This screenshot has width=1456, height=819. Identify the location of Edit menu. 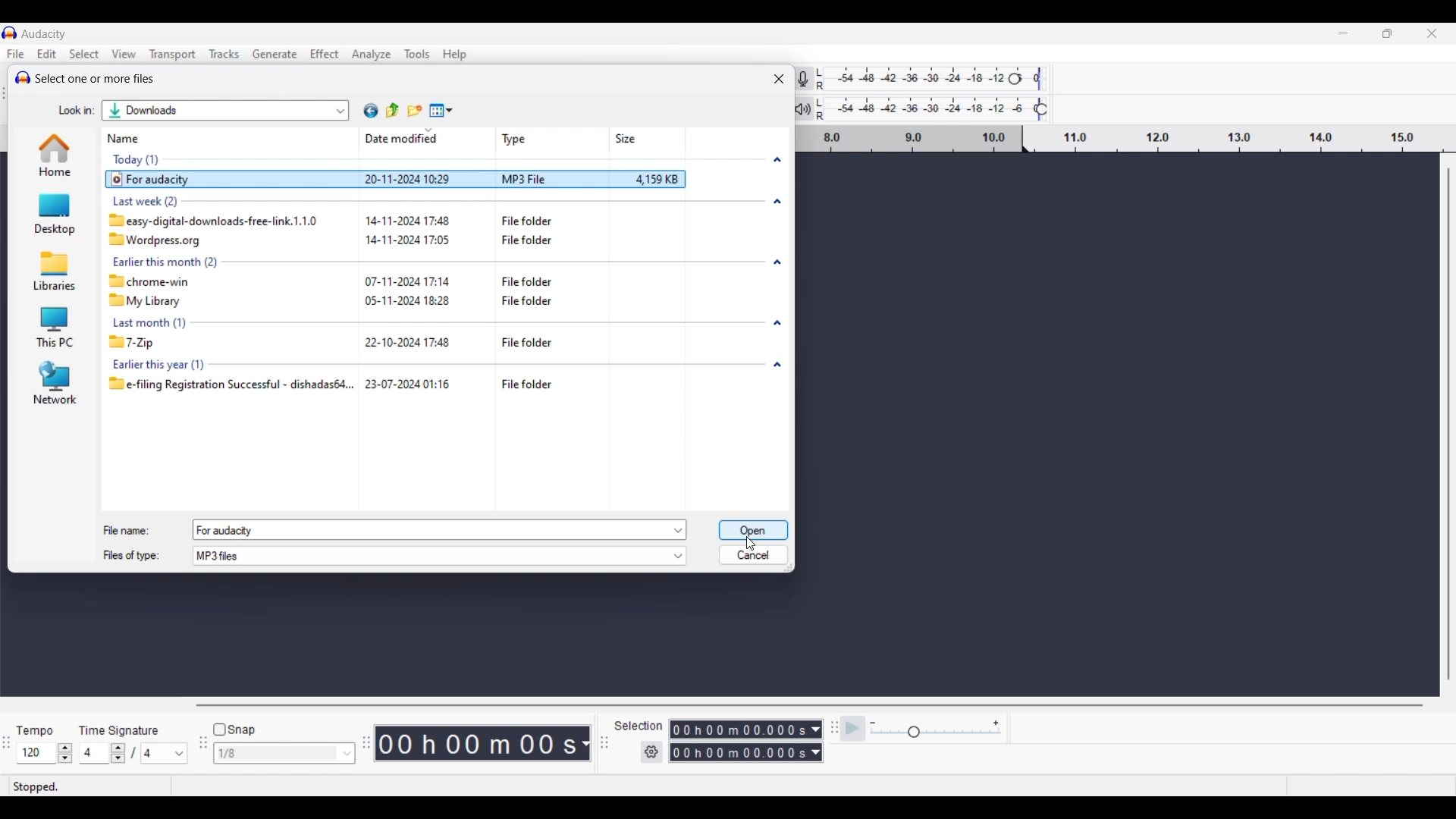
(47, 53).